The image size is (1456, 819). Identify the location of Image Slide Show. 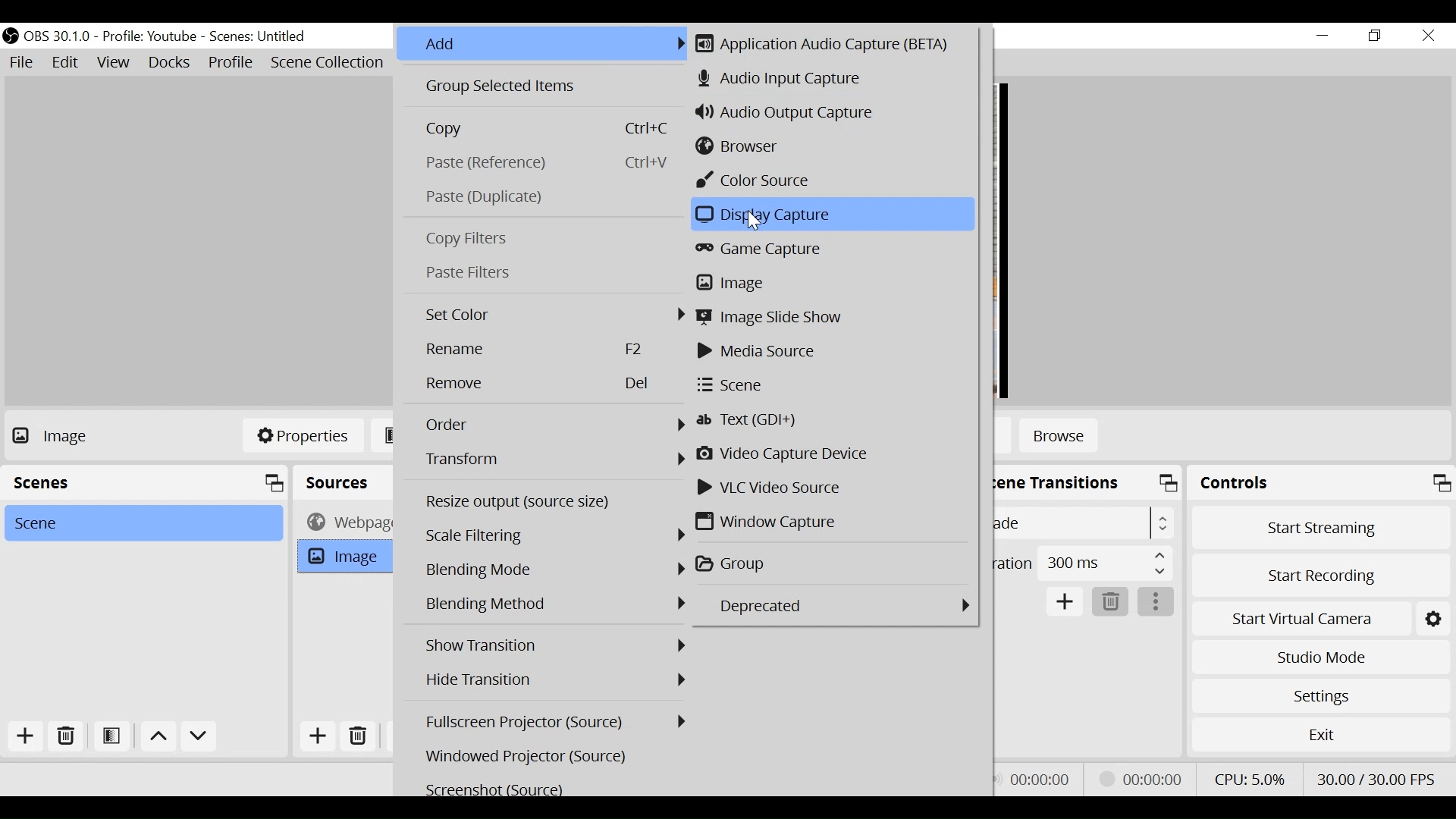
(834, 317).